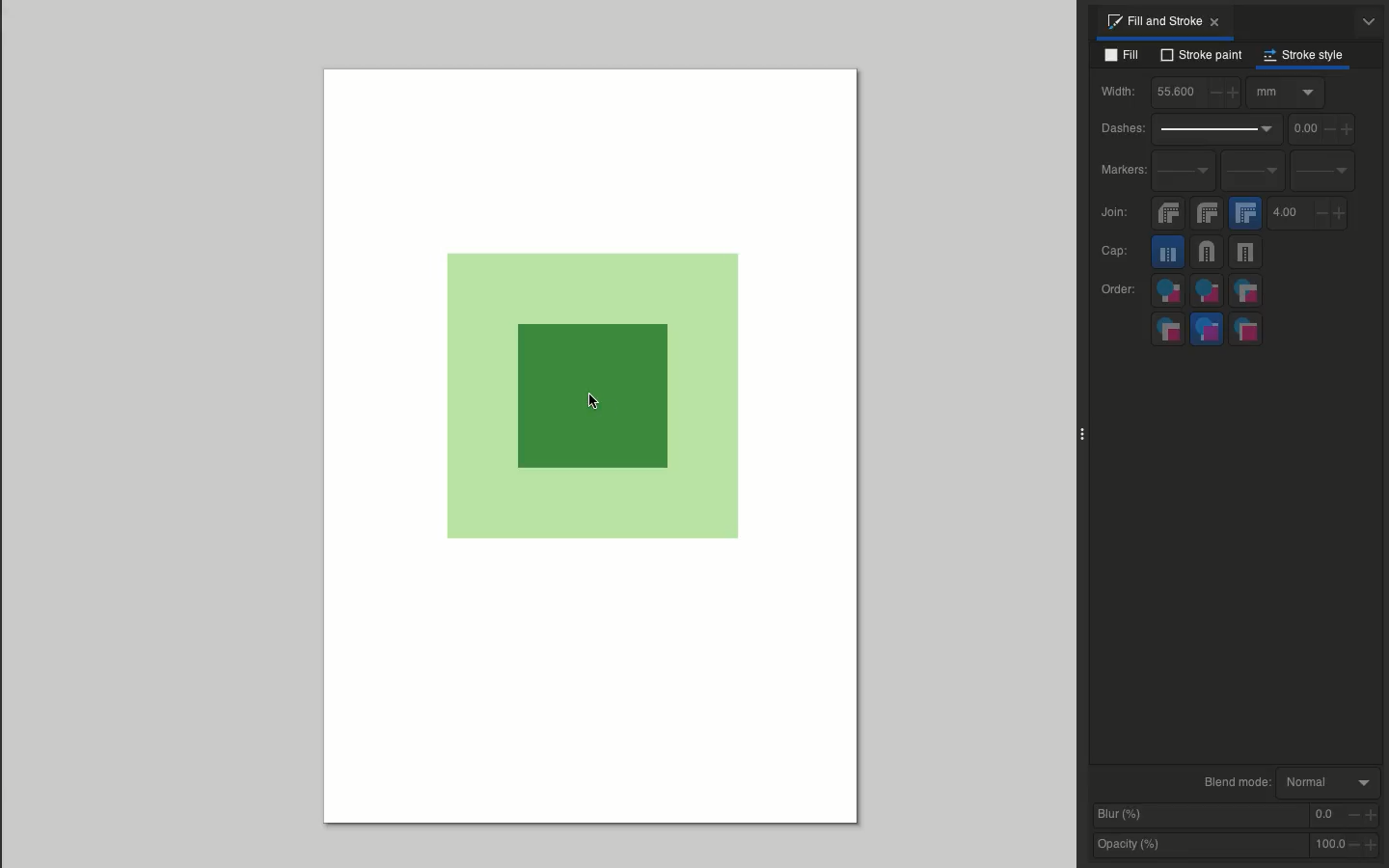  I want to click on Stroke paint, so click(1201, 55).